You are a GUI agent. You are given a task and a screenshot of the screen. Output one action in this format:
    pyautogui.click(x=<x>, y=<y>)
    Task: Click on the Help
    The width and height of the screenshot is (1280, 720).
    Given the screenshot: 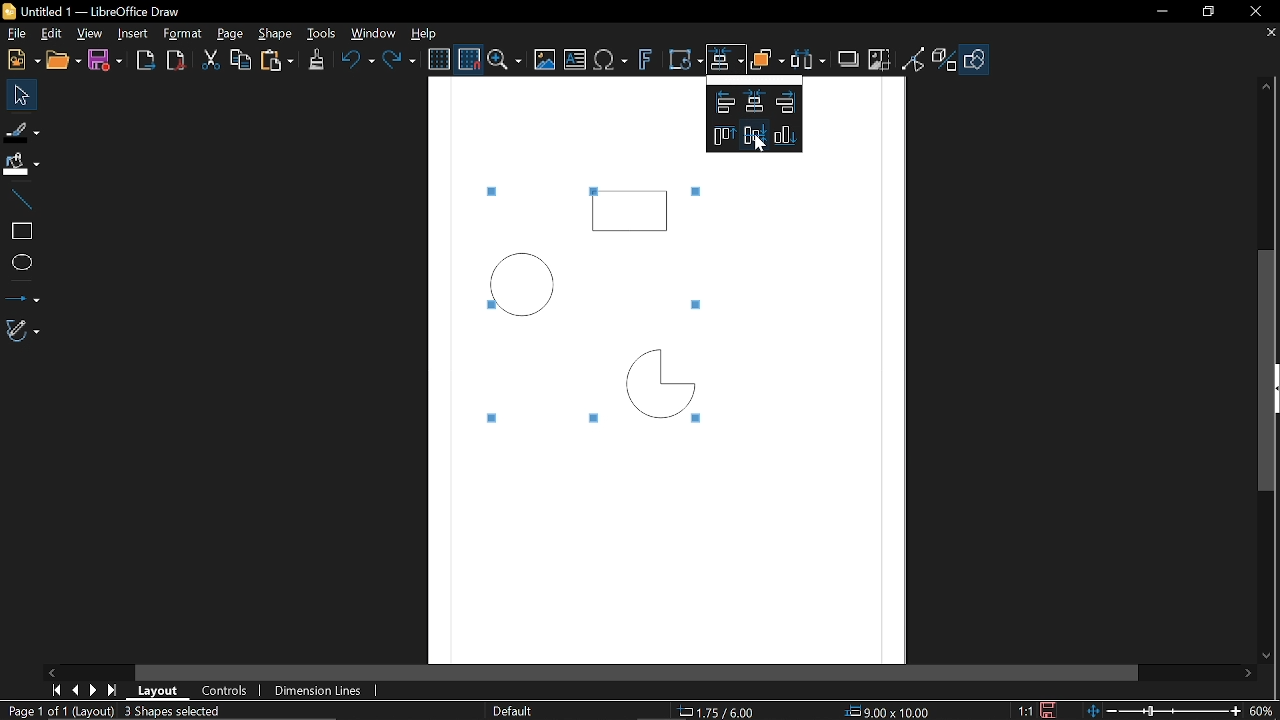 What is the action you would take?
    pyautogui.click(x=421, y=34)
    